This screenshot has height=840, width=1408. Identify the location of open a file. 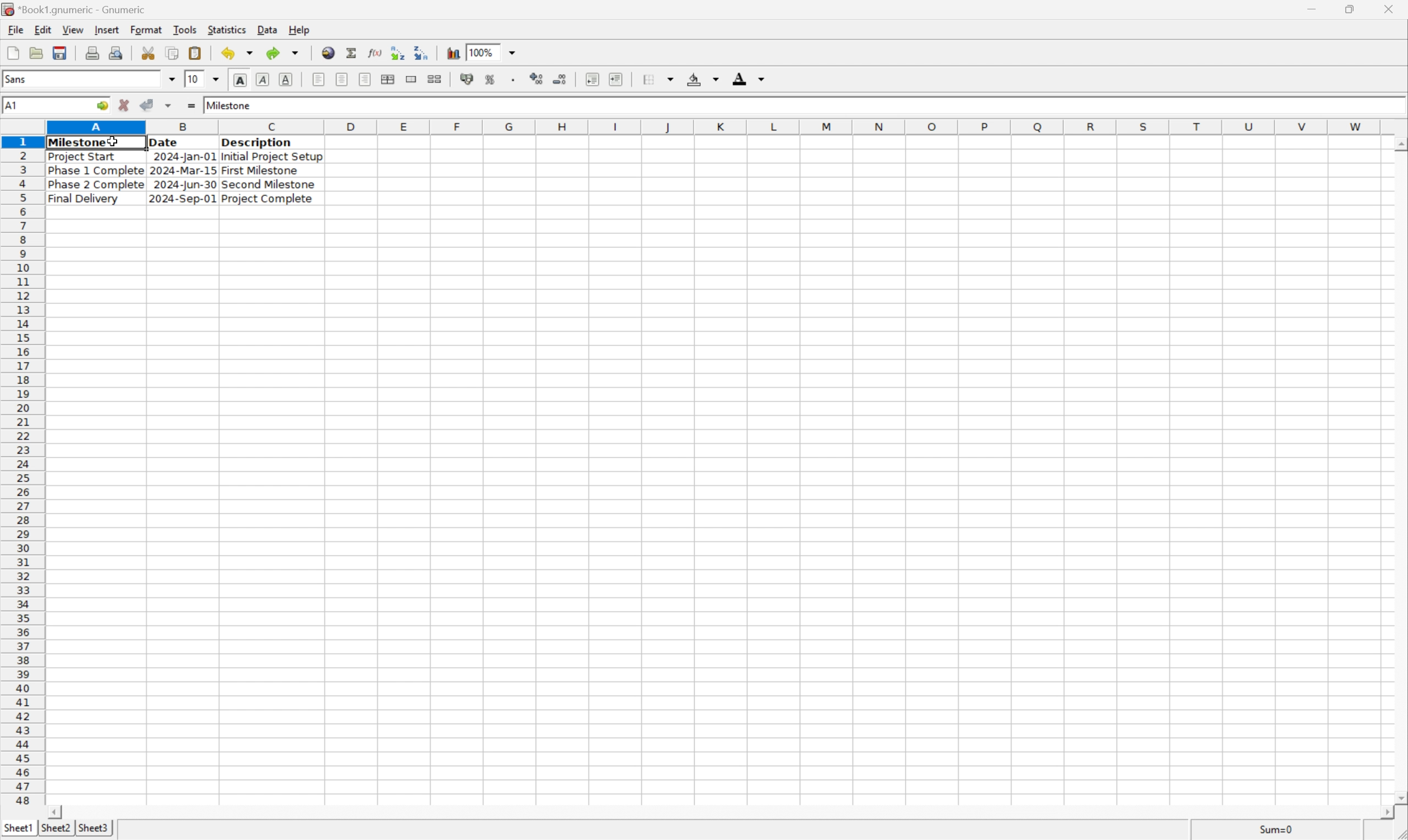
(38, 53).